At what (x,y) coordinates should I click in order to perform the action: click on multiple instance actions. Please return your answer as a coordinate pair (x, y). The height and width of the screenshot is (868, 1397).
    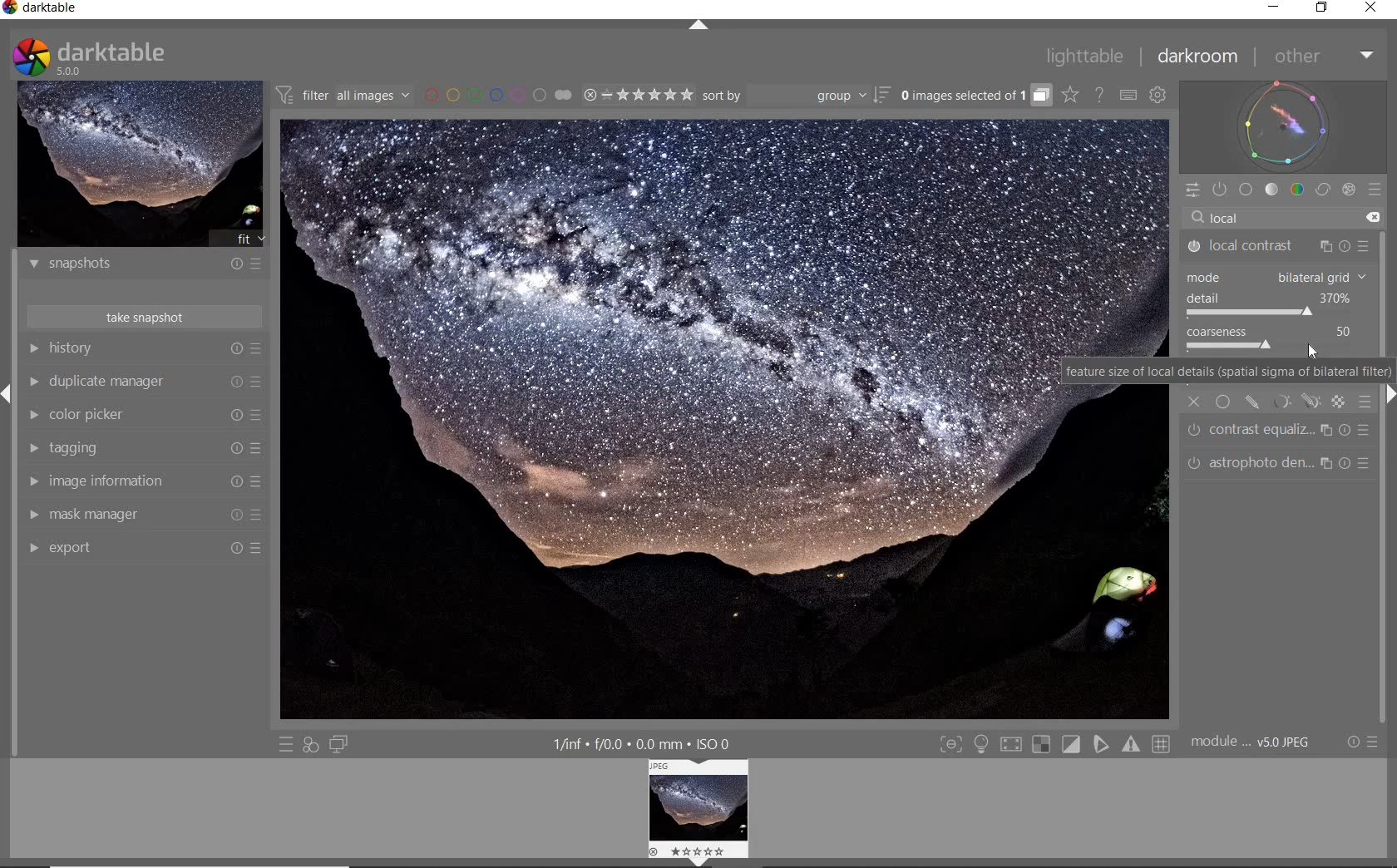
    Looking at the image, I should click on (1326, 428).